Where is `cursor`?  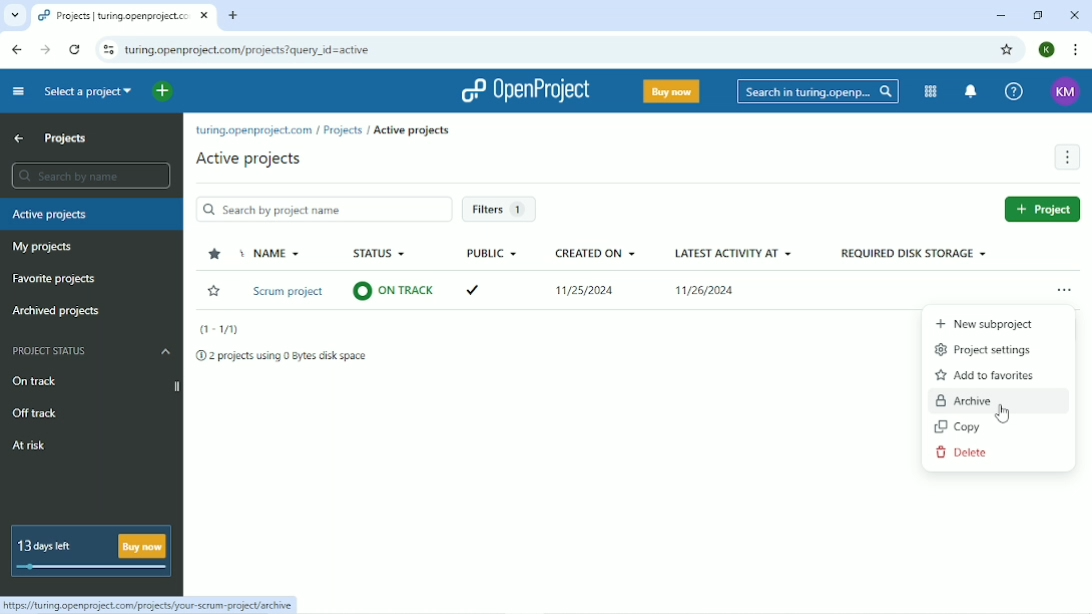 cursor is located at coordinates (1007, 414).